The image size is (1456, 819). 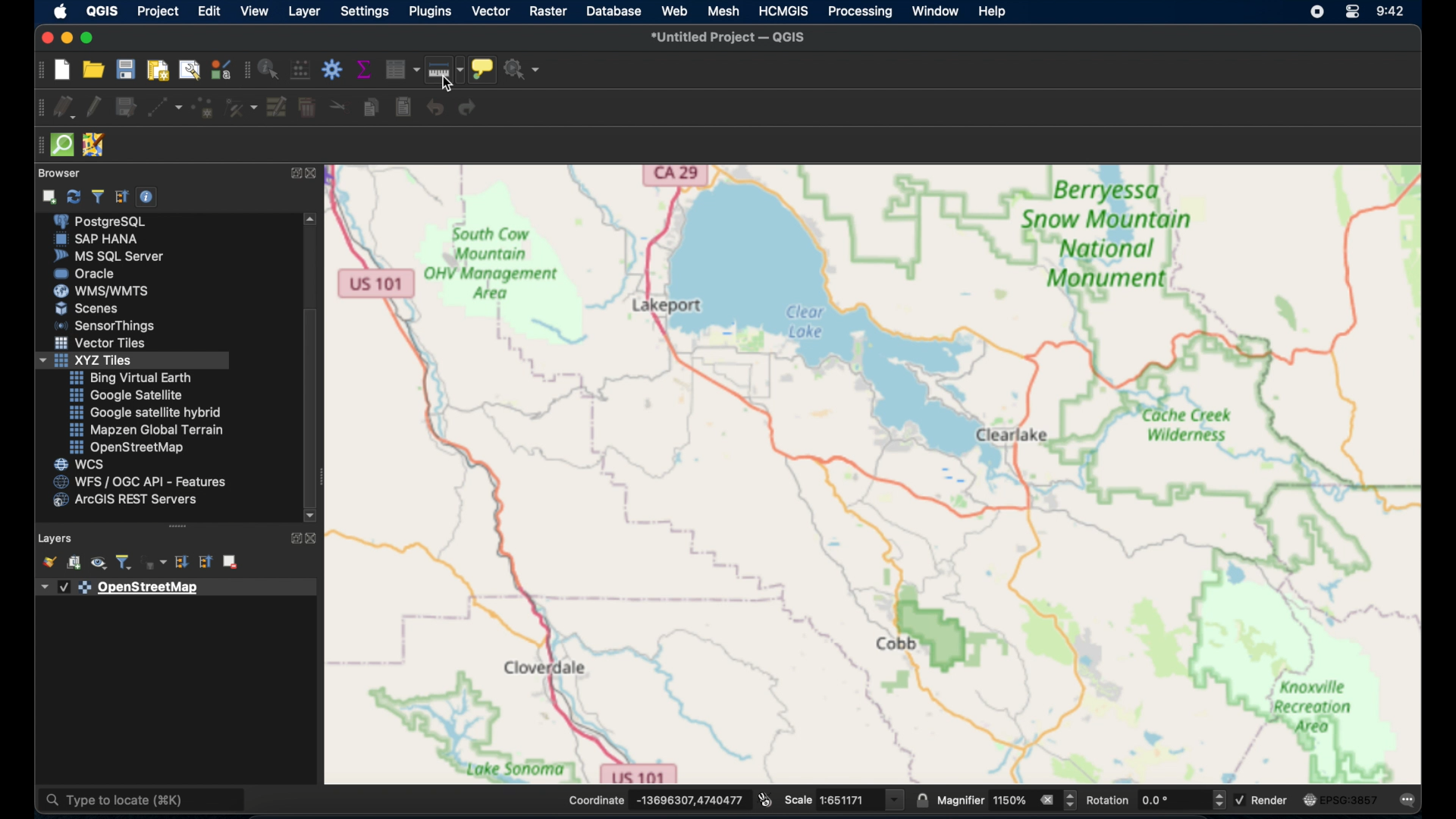 What do you see at coordinates (146, 412) in the screenshot?
I see `google satellite hybrid` at bounding box center [146, 412].